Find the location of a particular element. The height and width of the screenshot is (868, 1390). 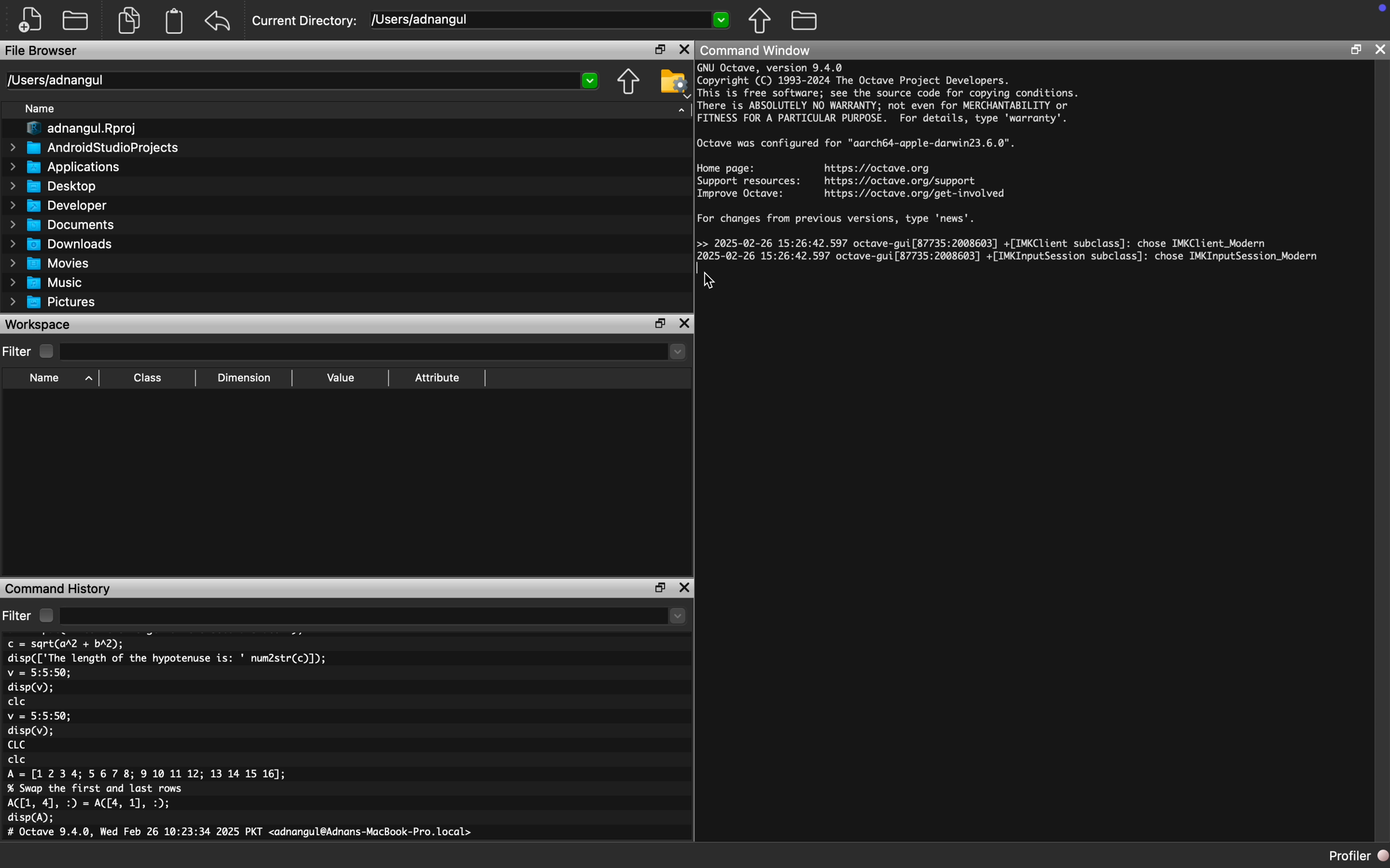

File Browser is located at coordinates (43, 51).